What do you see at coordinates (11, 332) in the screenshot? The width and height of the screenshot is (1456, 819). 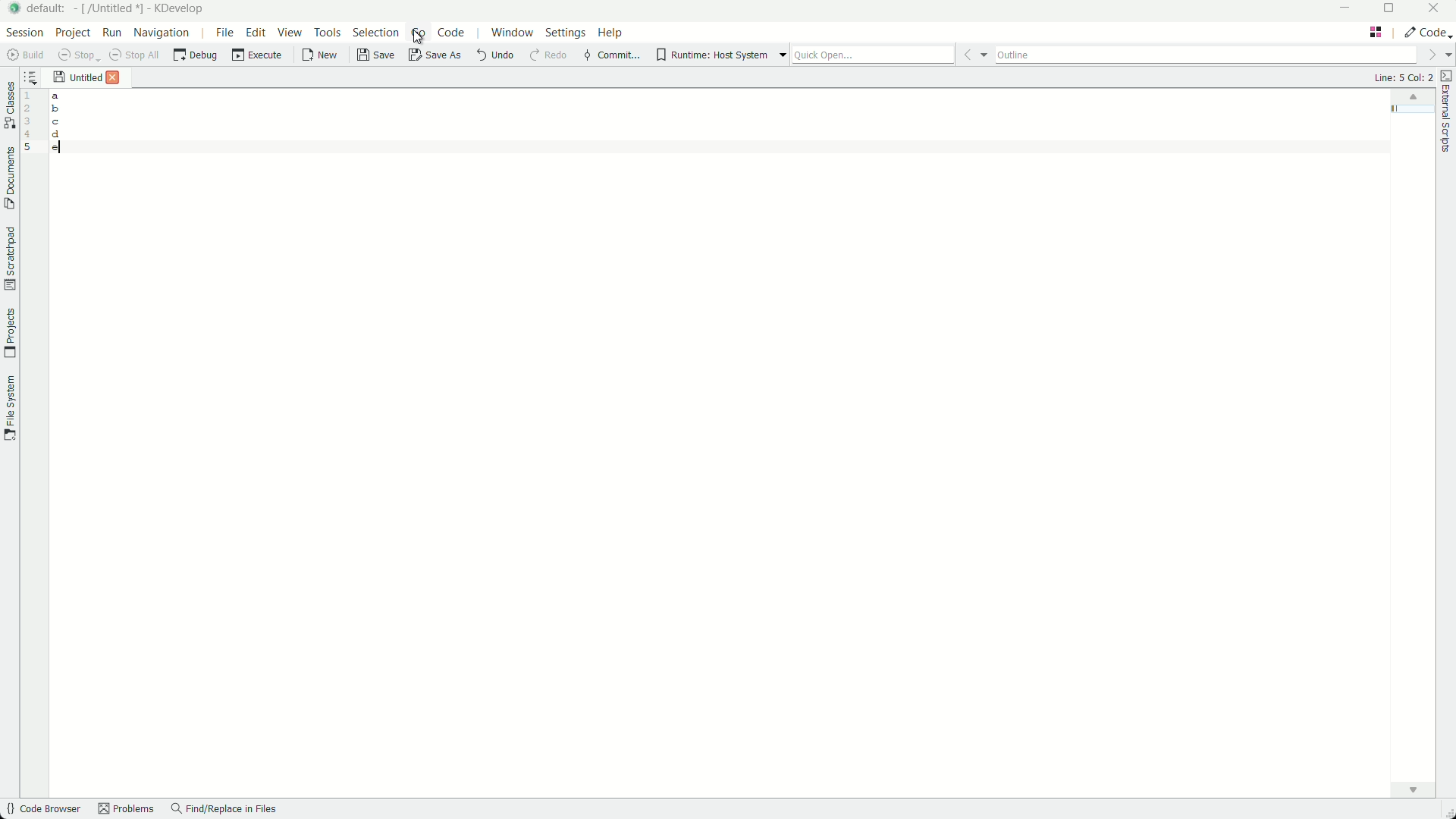 I see `projects` at bounding box center [11, 332].